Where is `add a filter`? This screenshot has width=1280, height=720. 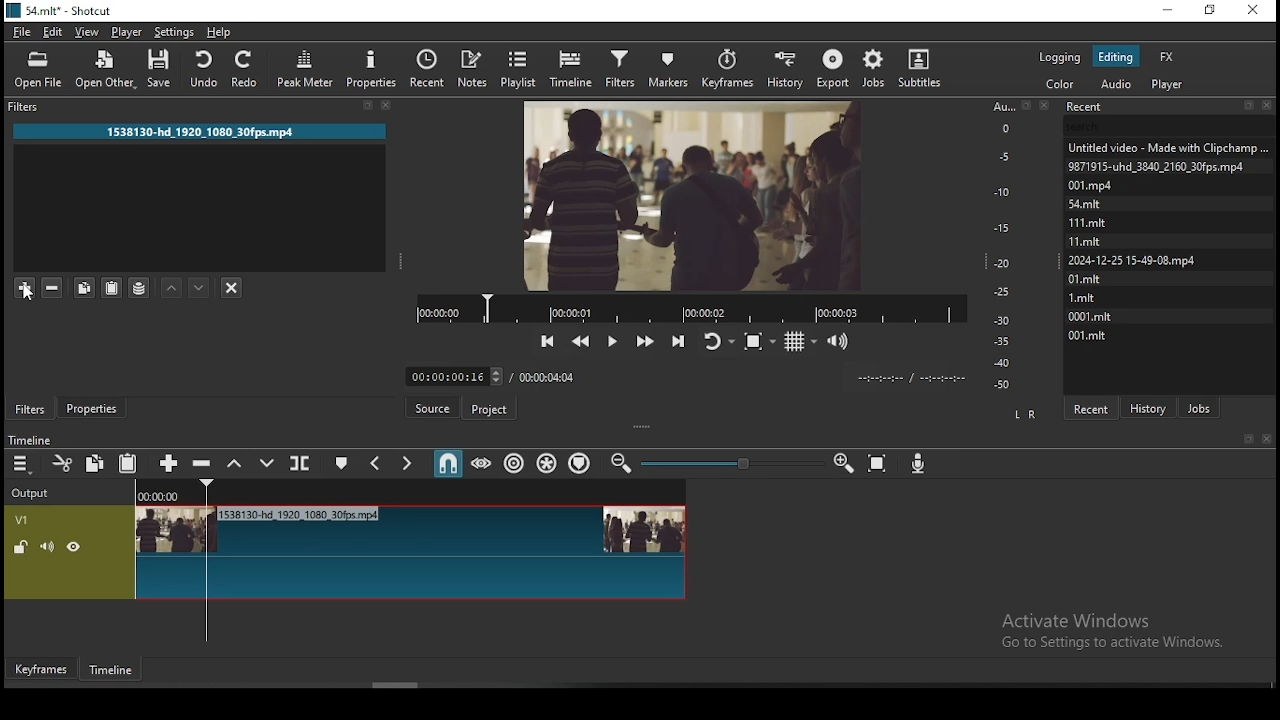
add a filter is located at coordinates (24, 287).